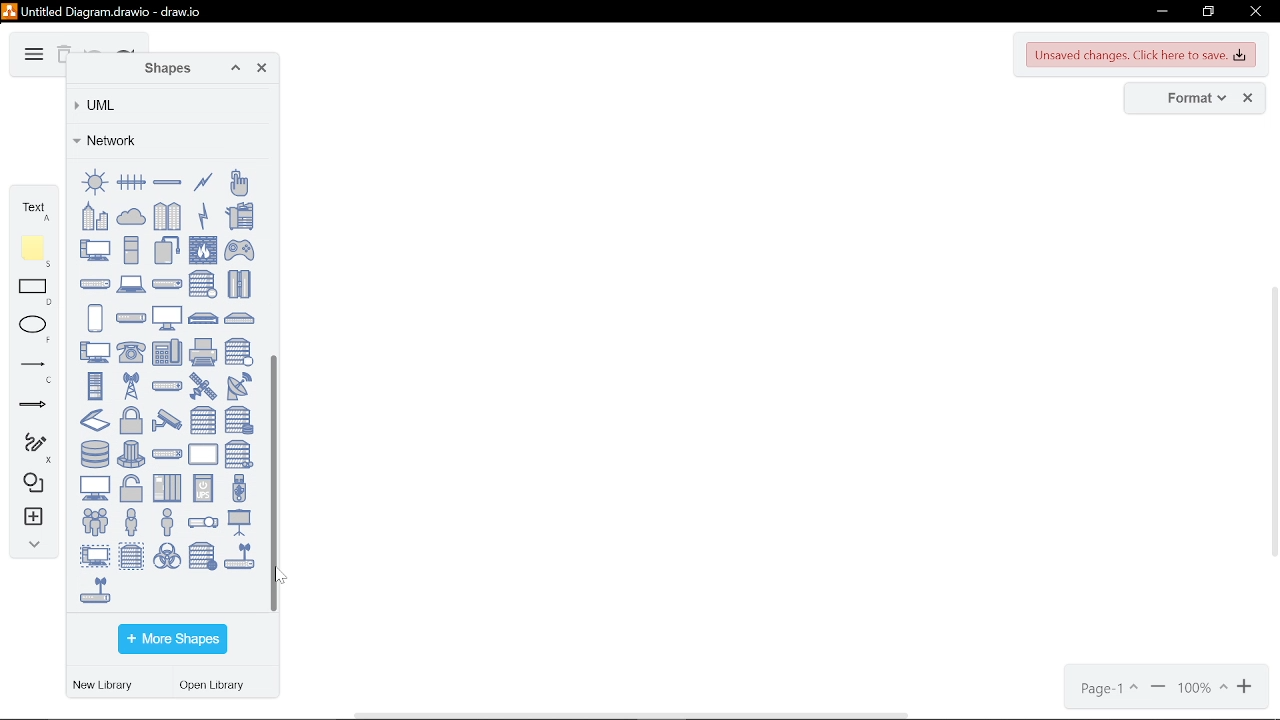  What do you see at coordinates (131, 318) in the screenshot?
I see `modem` at bounding box center [131, 318].